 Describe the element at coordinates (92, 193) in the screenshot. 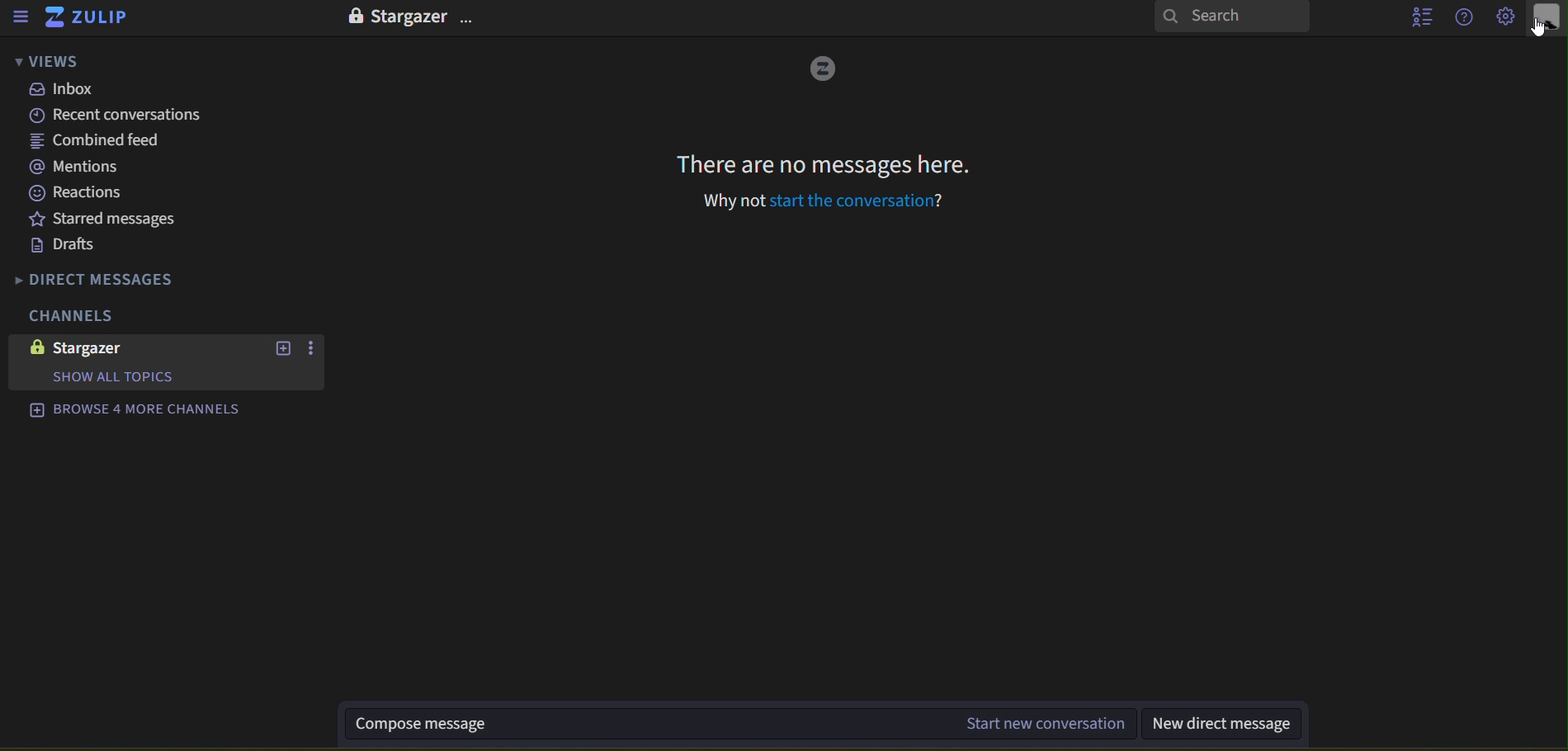

I see `reactions` at that location.